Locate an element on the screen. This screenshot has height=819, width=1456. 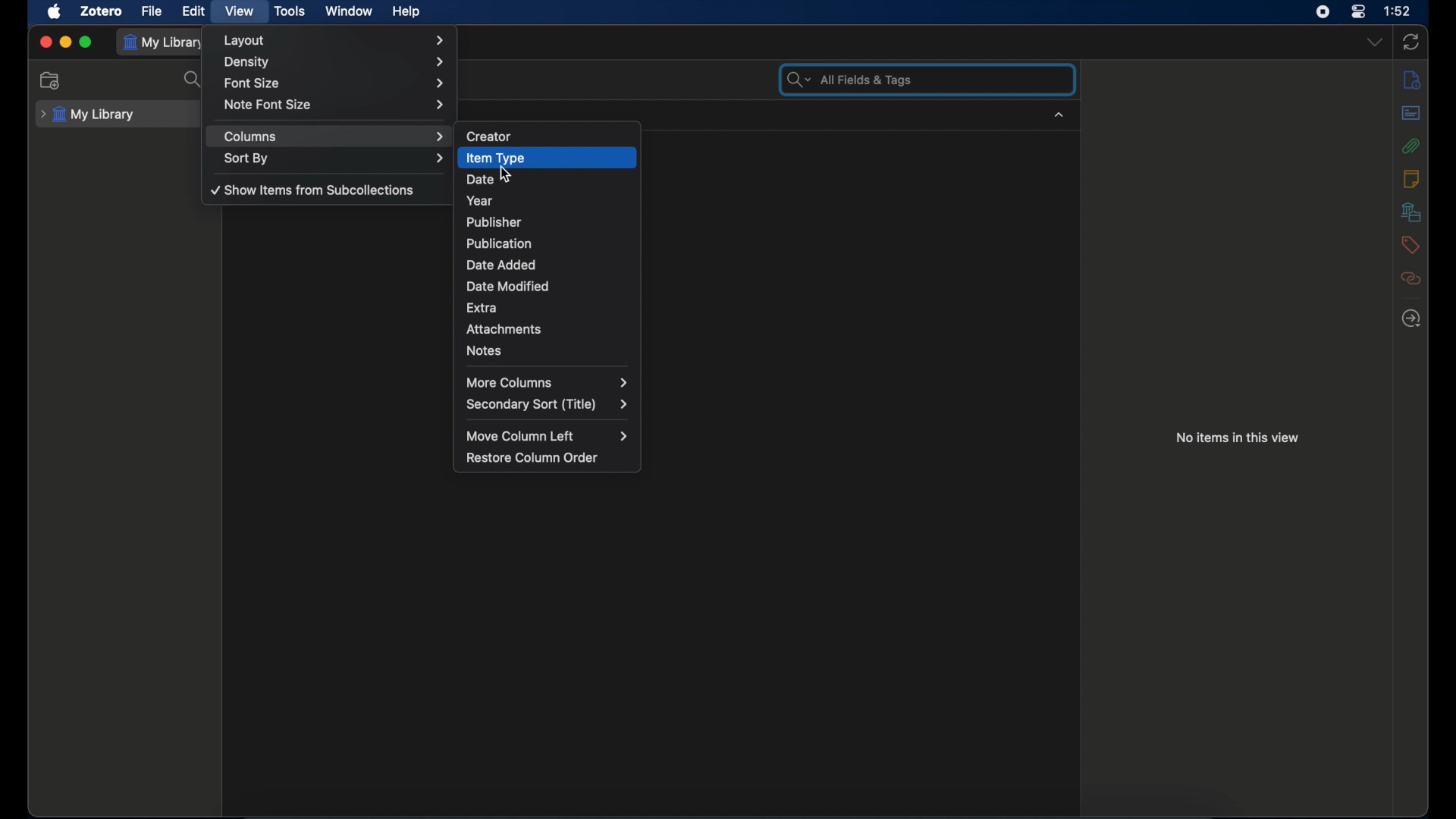
sync is located at coordinates (1412, 42).